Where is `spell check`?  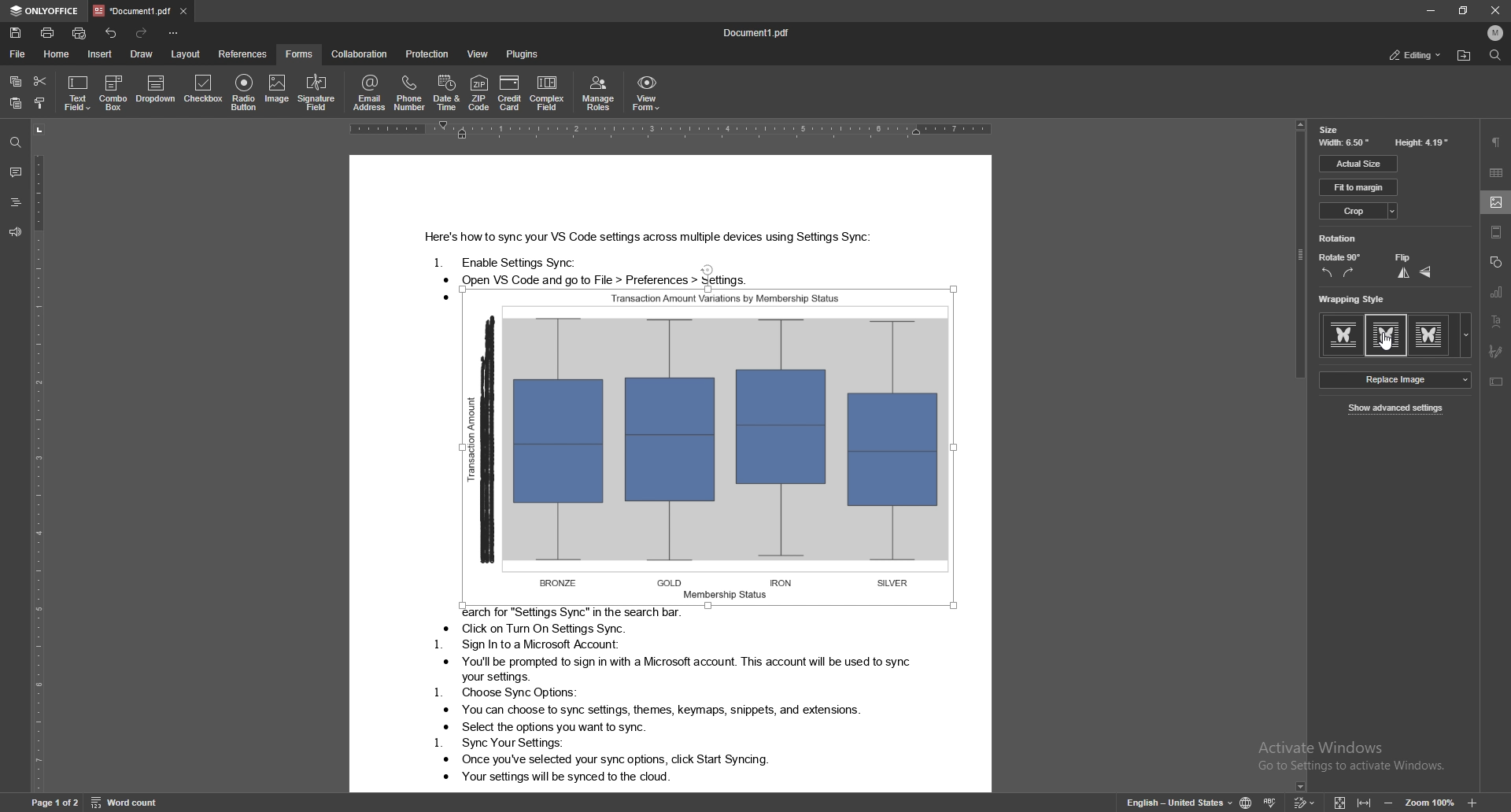 spell check is located at coordinates (1269, 803).